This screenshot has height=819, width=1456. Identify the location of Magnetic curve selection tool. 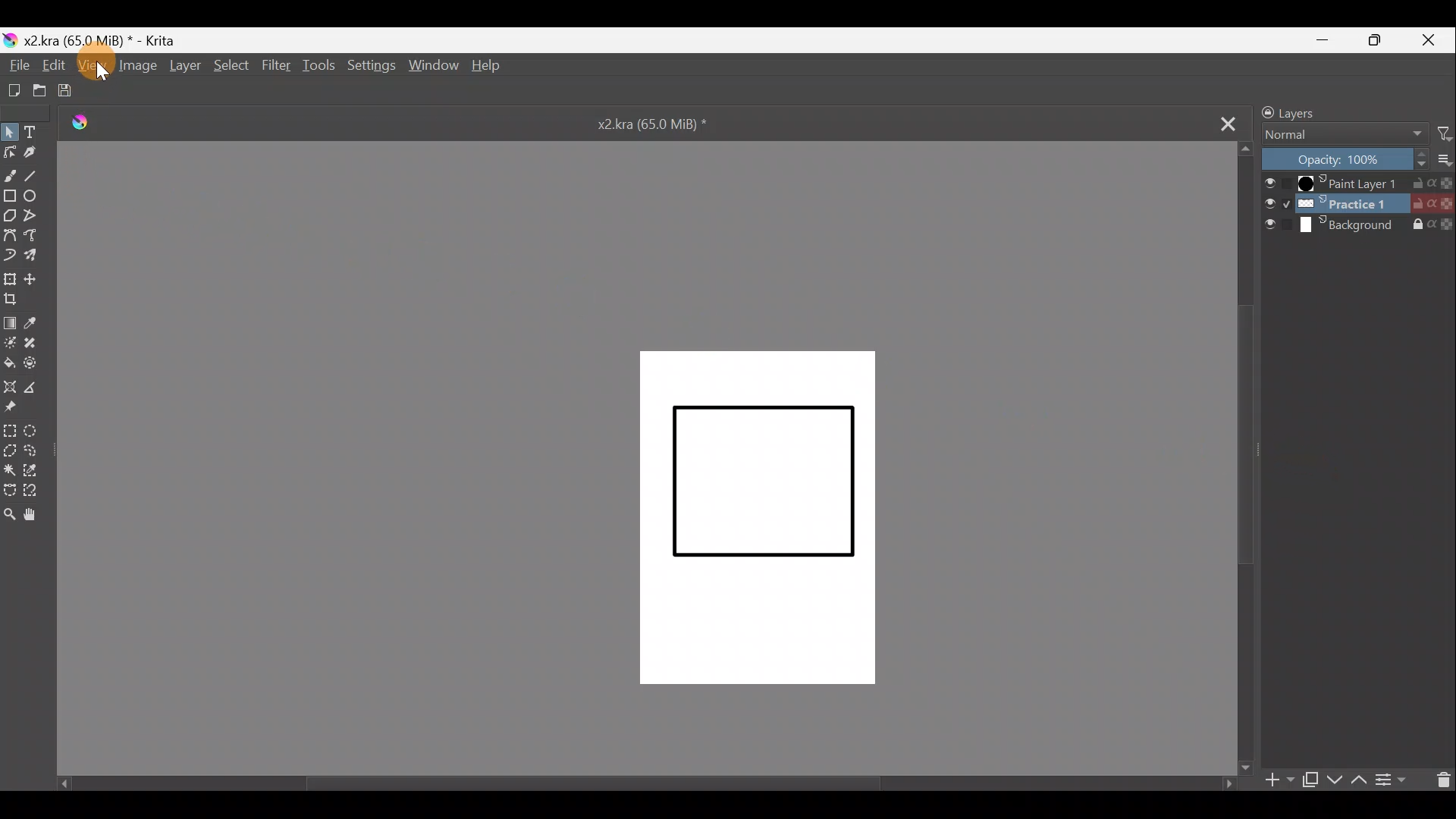
(38, 488).